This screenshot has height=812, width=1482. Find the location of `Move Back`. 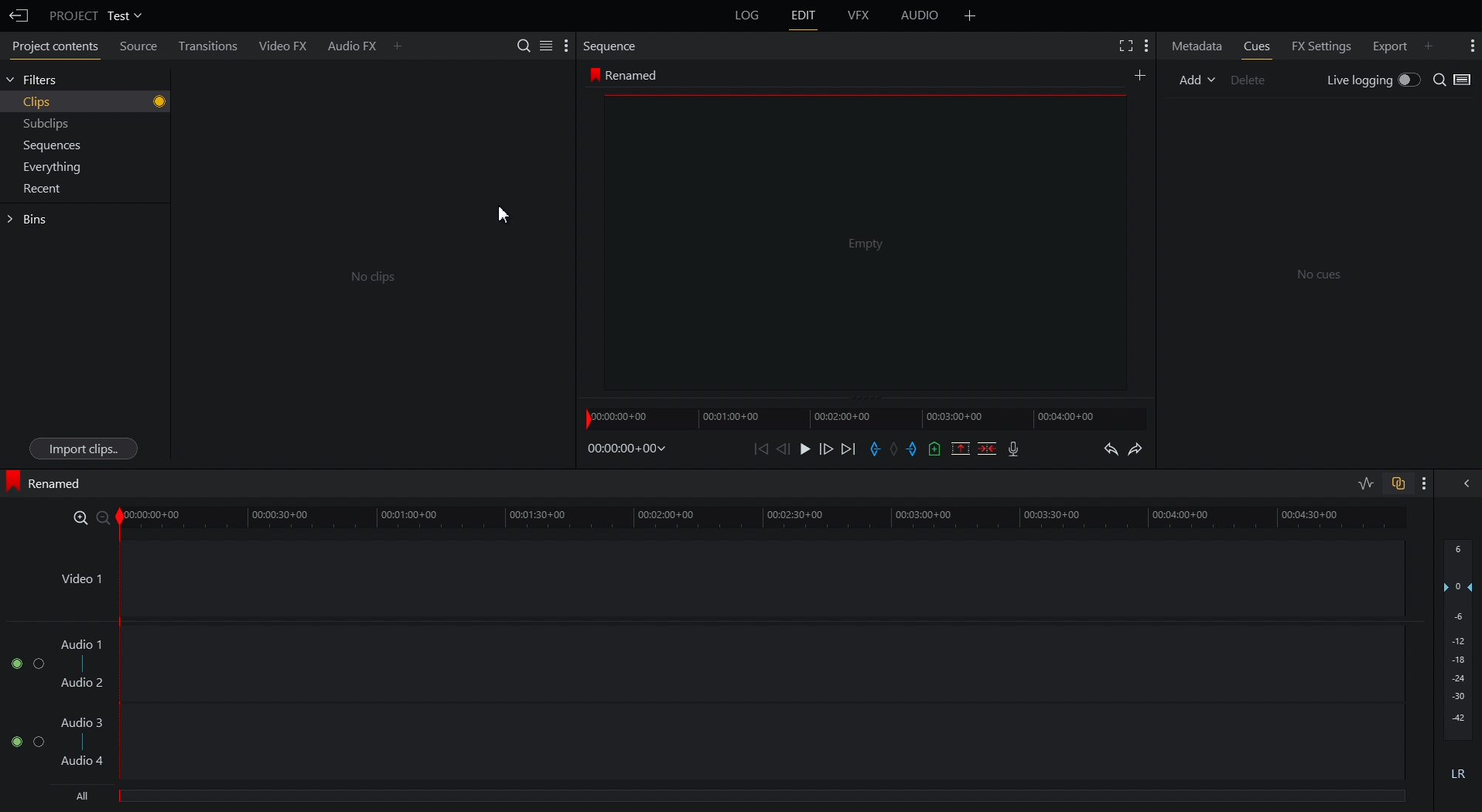

Move Back is located at coordinates (784, 449).